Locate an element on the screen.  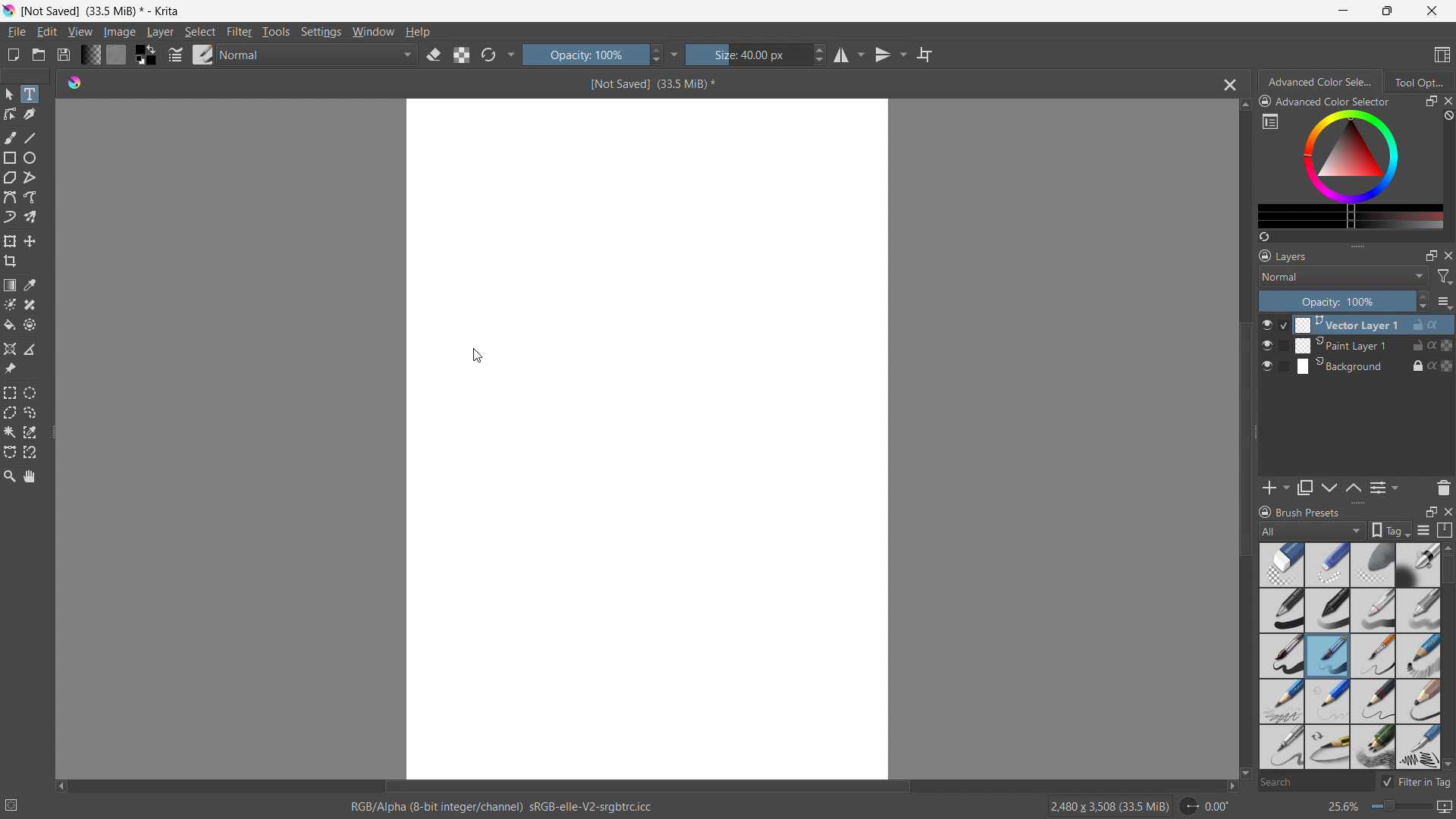
rectangular selection tool is located at coordinates (10, 393).